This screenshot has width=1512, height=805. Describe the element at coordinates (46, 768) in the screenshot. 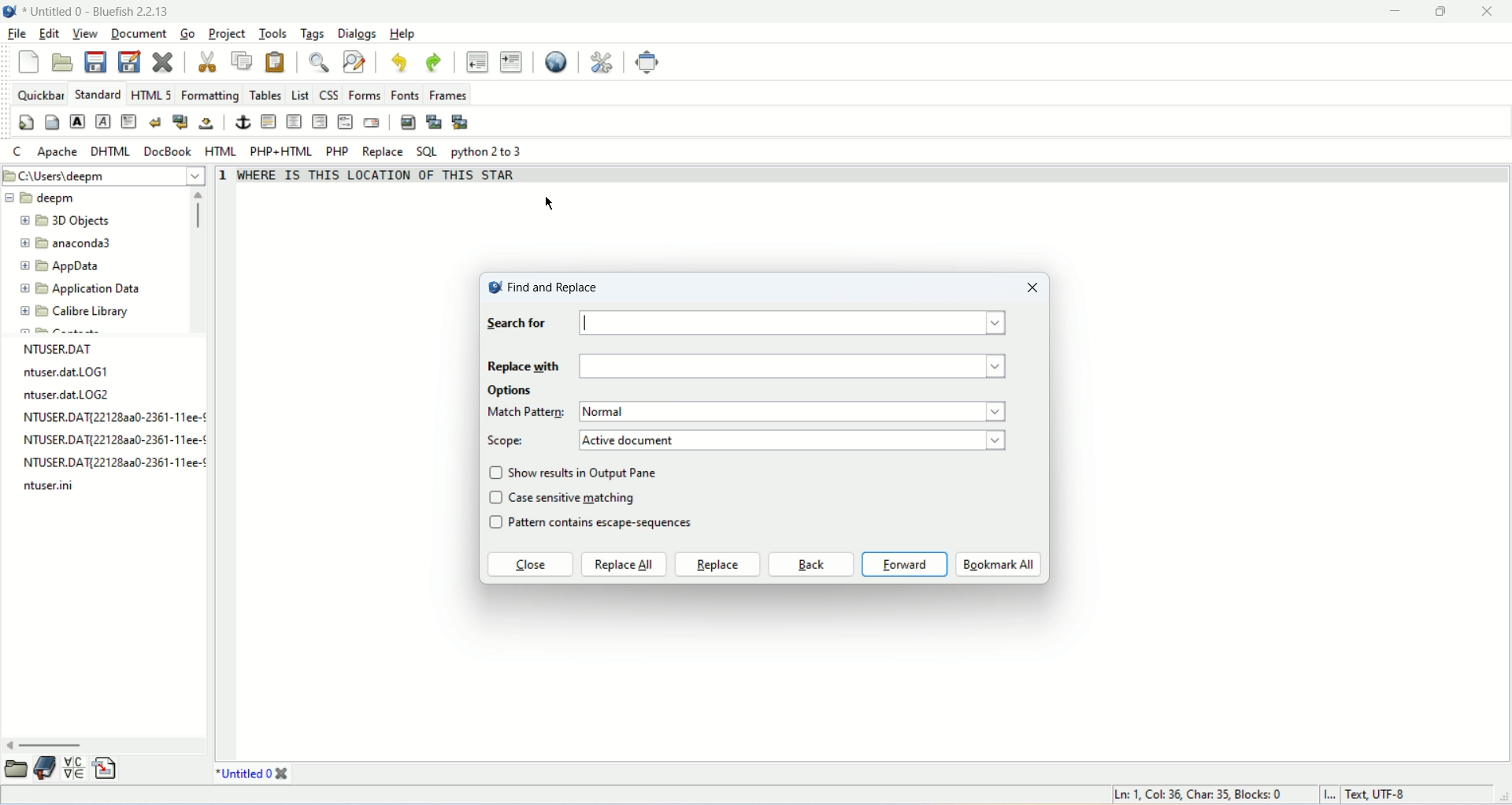

I see `bookmakrs` at that location.